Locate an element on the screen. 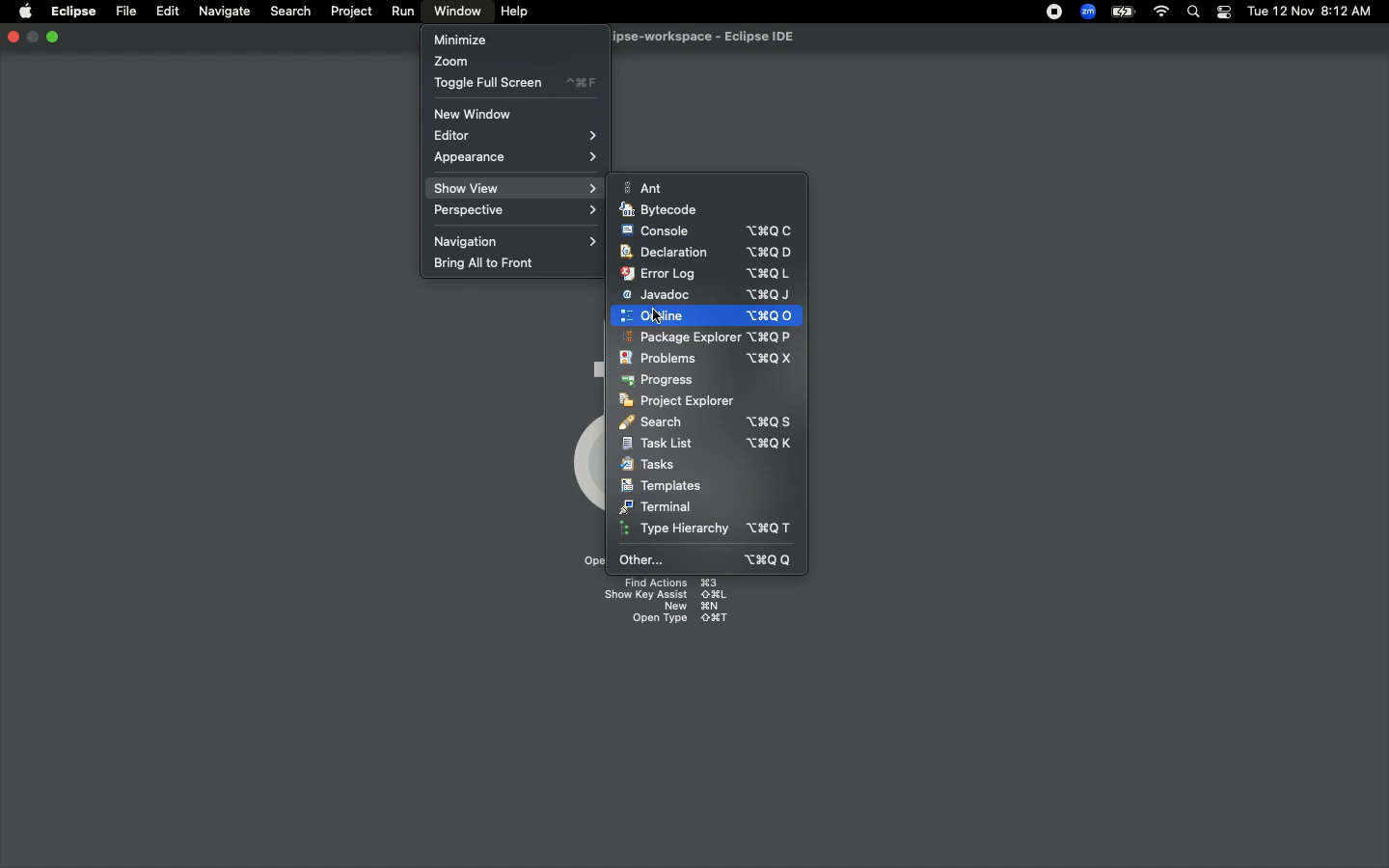  Navigate is located at coordinates (222, 12).